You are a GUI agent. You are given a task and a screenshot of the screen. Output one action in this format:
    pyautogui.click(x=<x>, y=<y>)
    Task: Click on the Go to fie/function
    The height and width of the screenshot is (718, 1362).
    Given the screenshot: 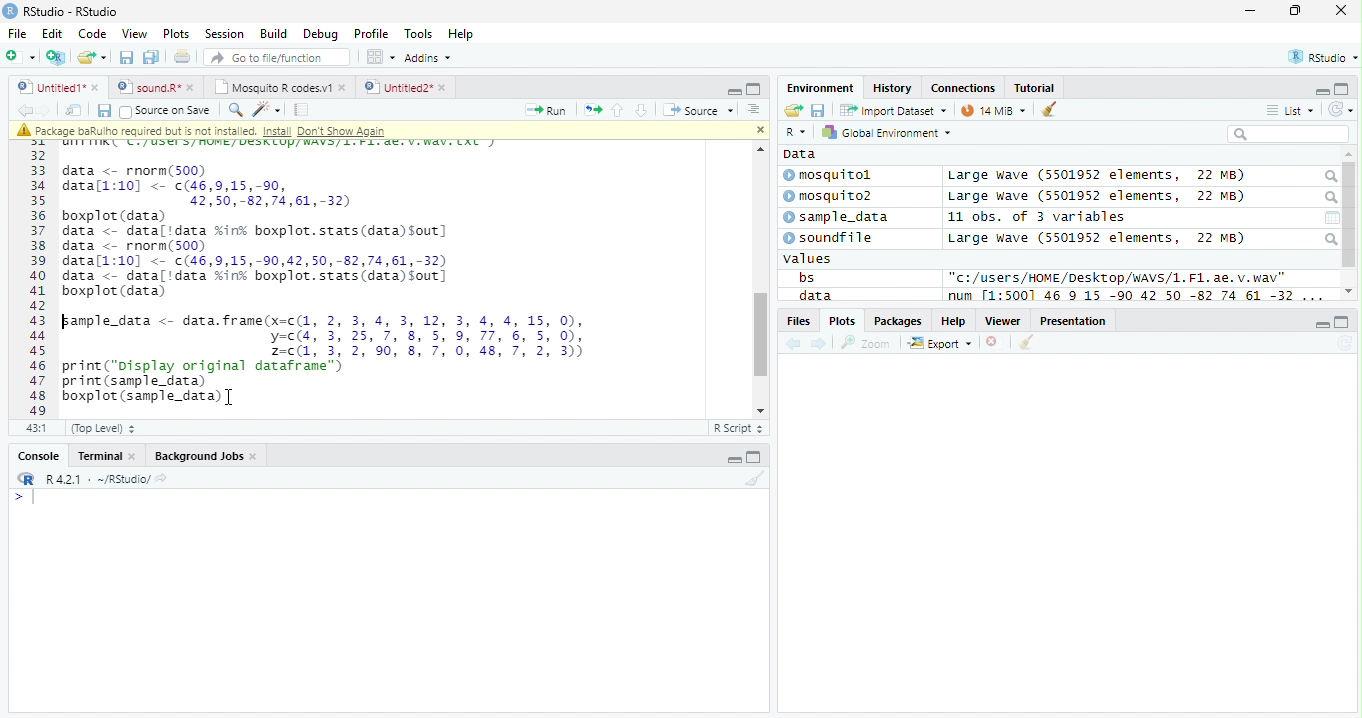 What is the action you would take?
    pyautogui.click(x=277, y=57)
    